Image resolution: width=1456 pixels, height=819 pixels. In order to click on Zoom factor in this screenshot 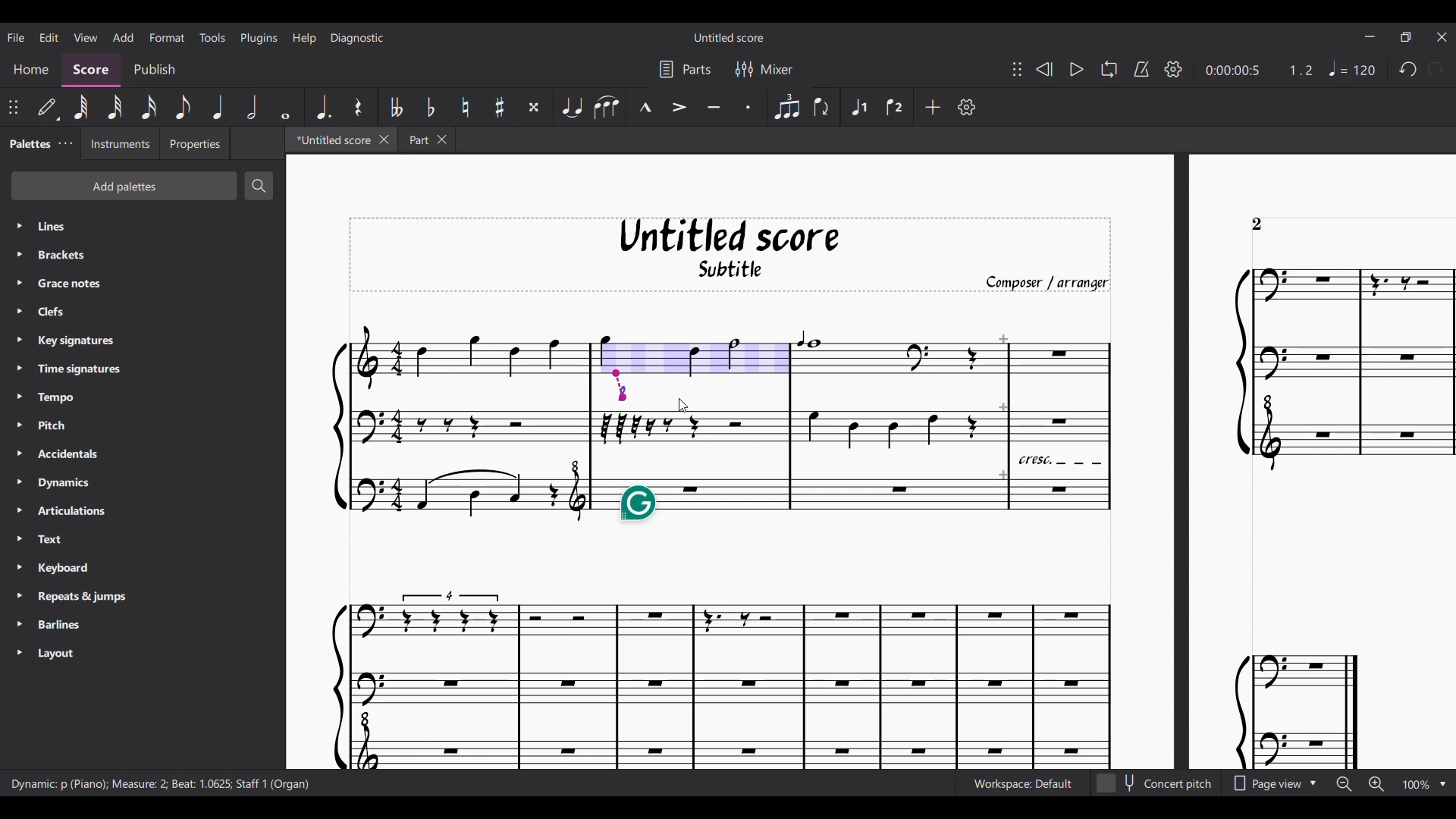, I will do `click(1417, 784)`.